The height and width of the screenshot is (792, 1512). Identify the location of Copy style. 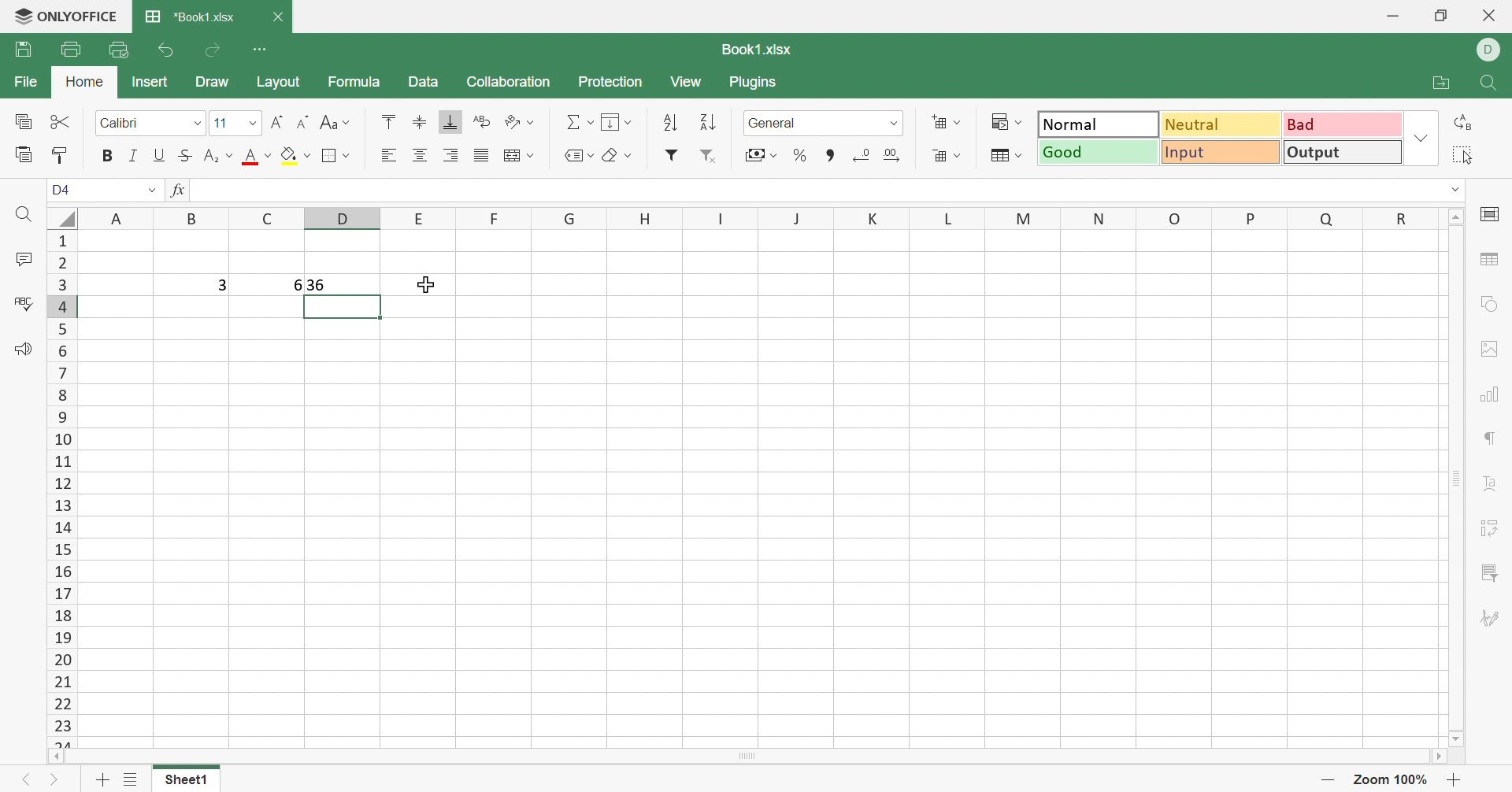
(57, 154).